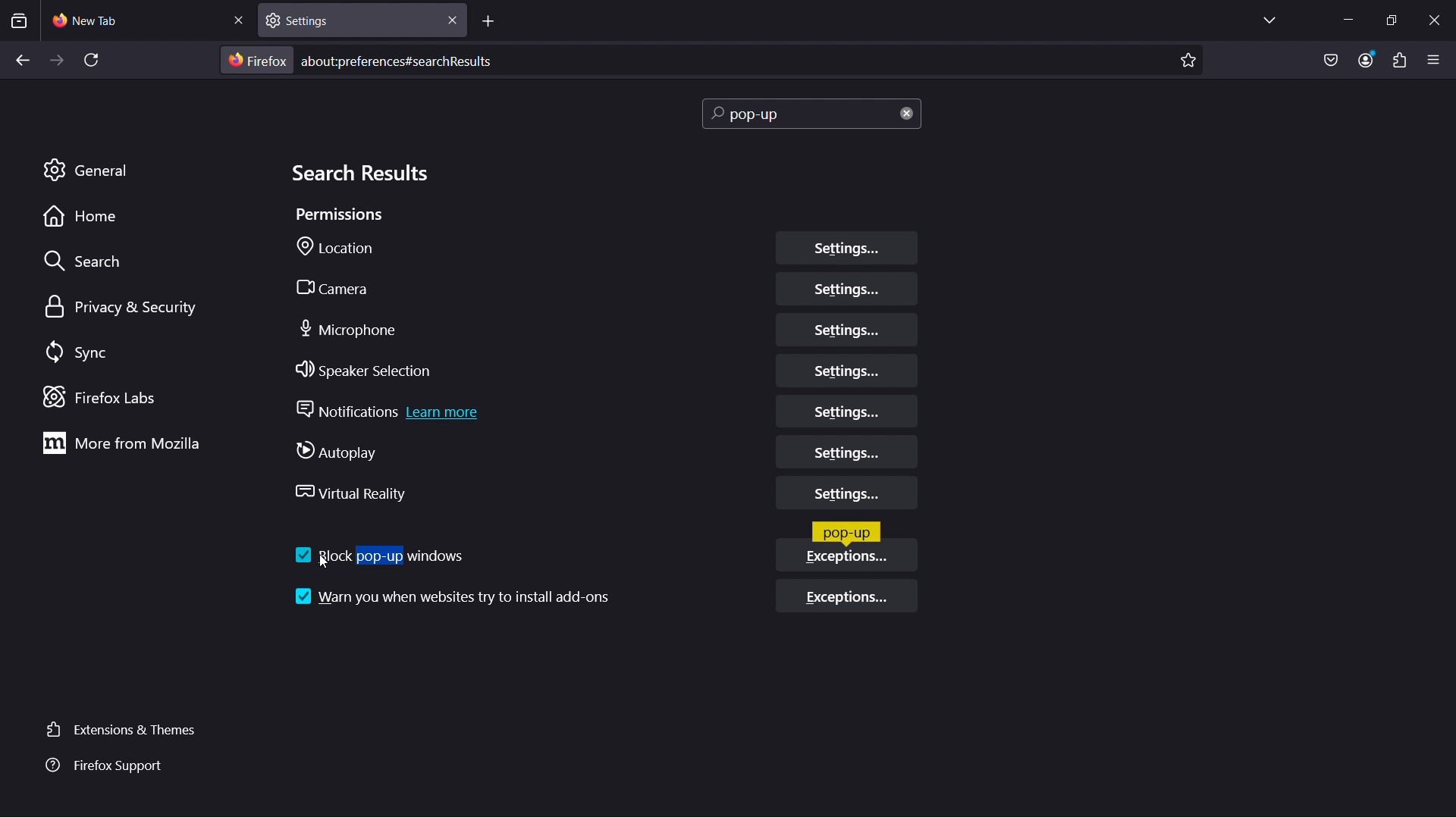 The height and width of the screenshot is (817, 1456). What do you see at coordinates (350, 493) in the screenshot?
I see `Virtual Reality` at bounding box center [350, 493].